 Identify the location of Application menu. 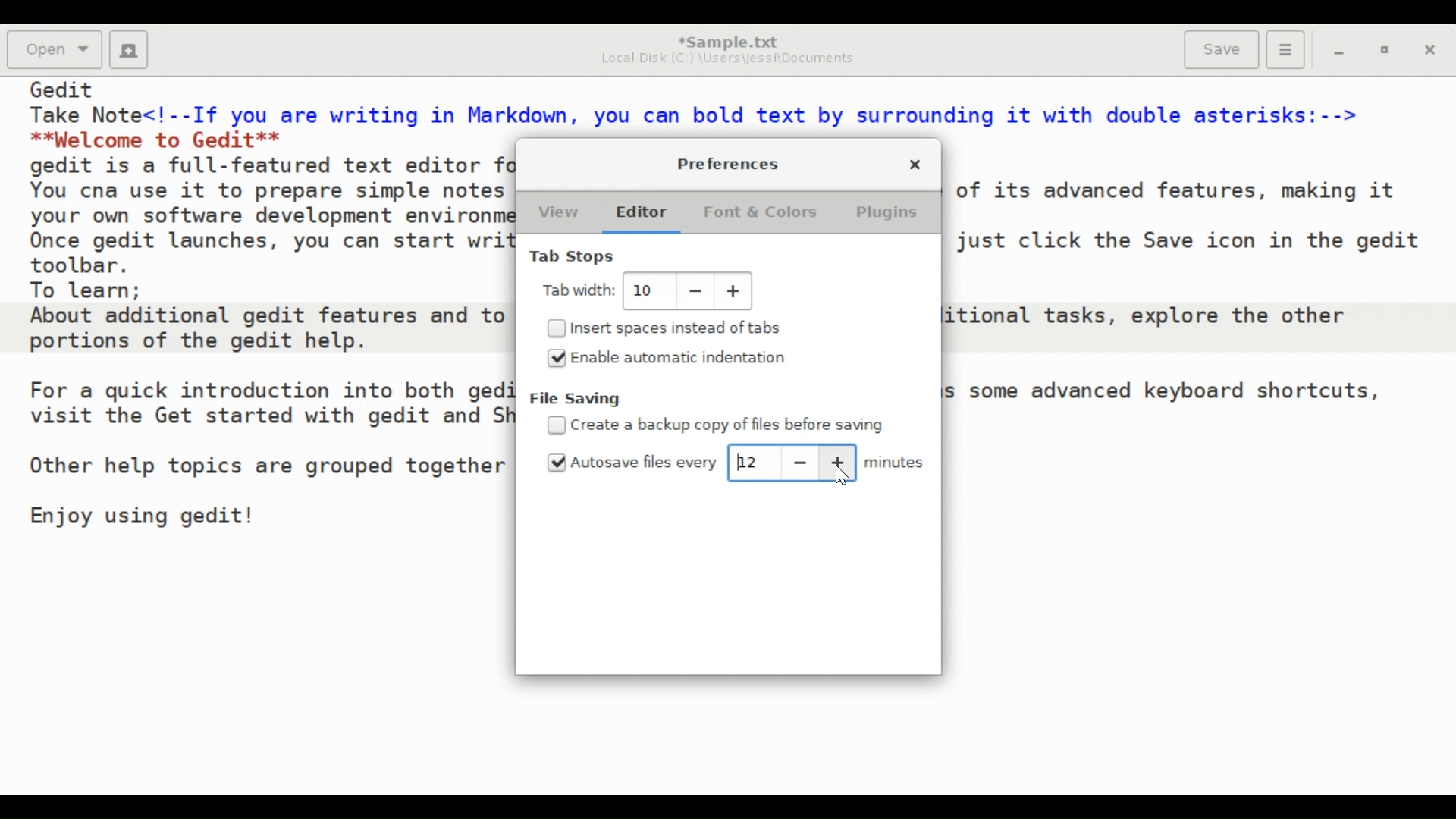
(1285, 50).